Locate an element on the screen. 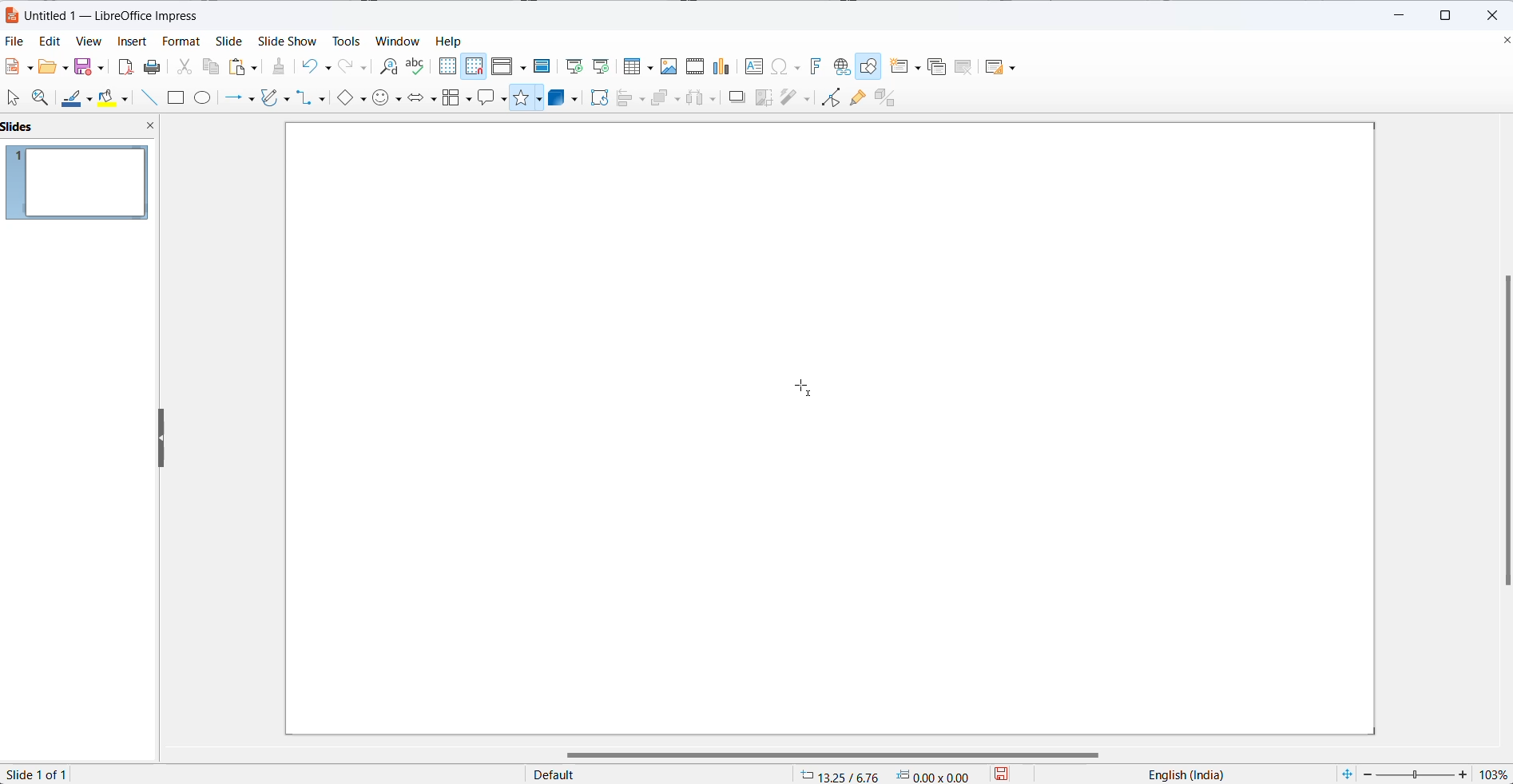  filters is located at coordinates (794, 97).